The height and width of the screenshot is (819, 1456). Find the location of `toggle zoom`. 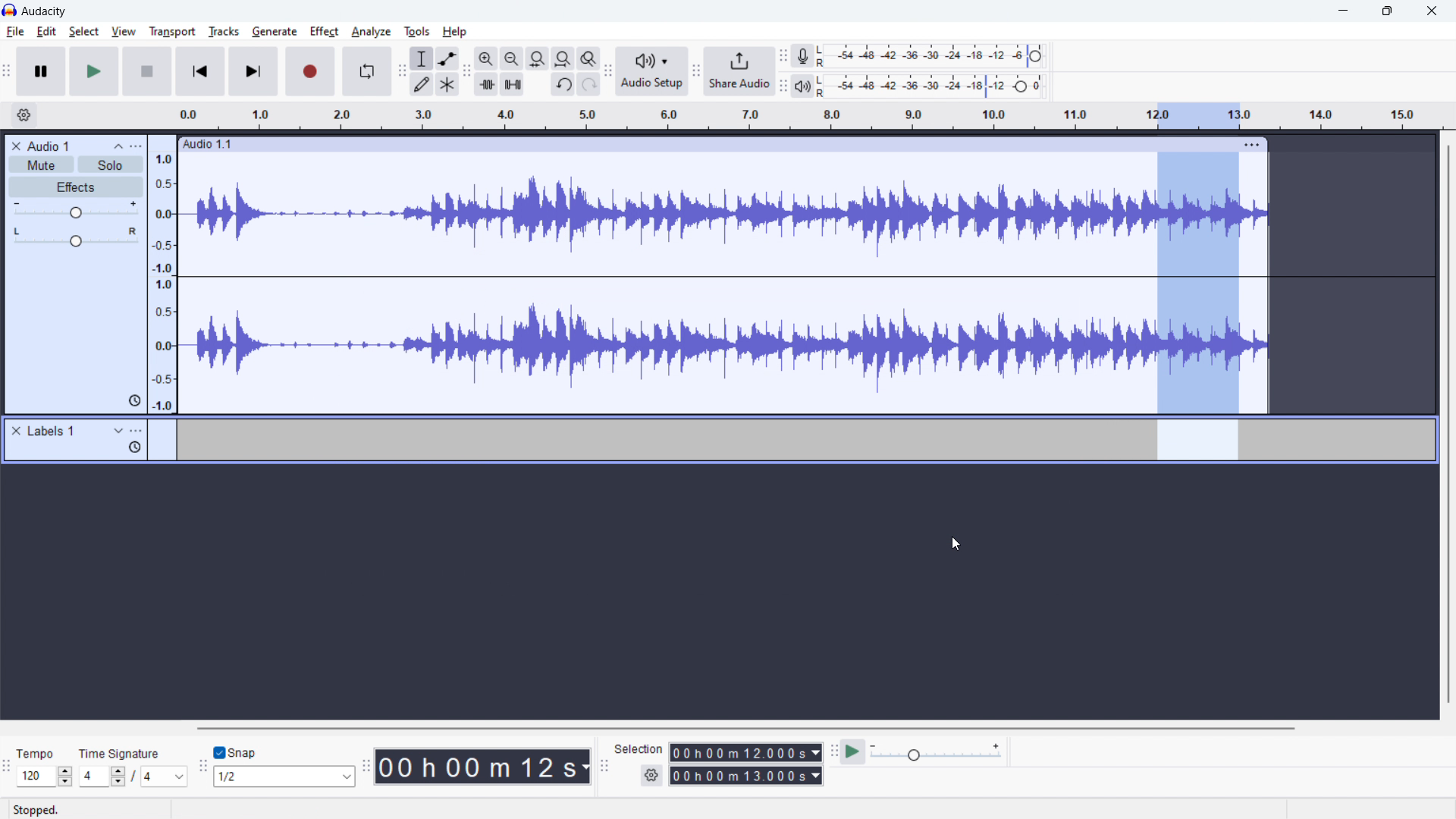

toggle zoom is located at coordinates (588, 58).